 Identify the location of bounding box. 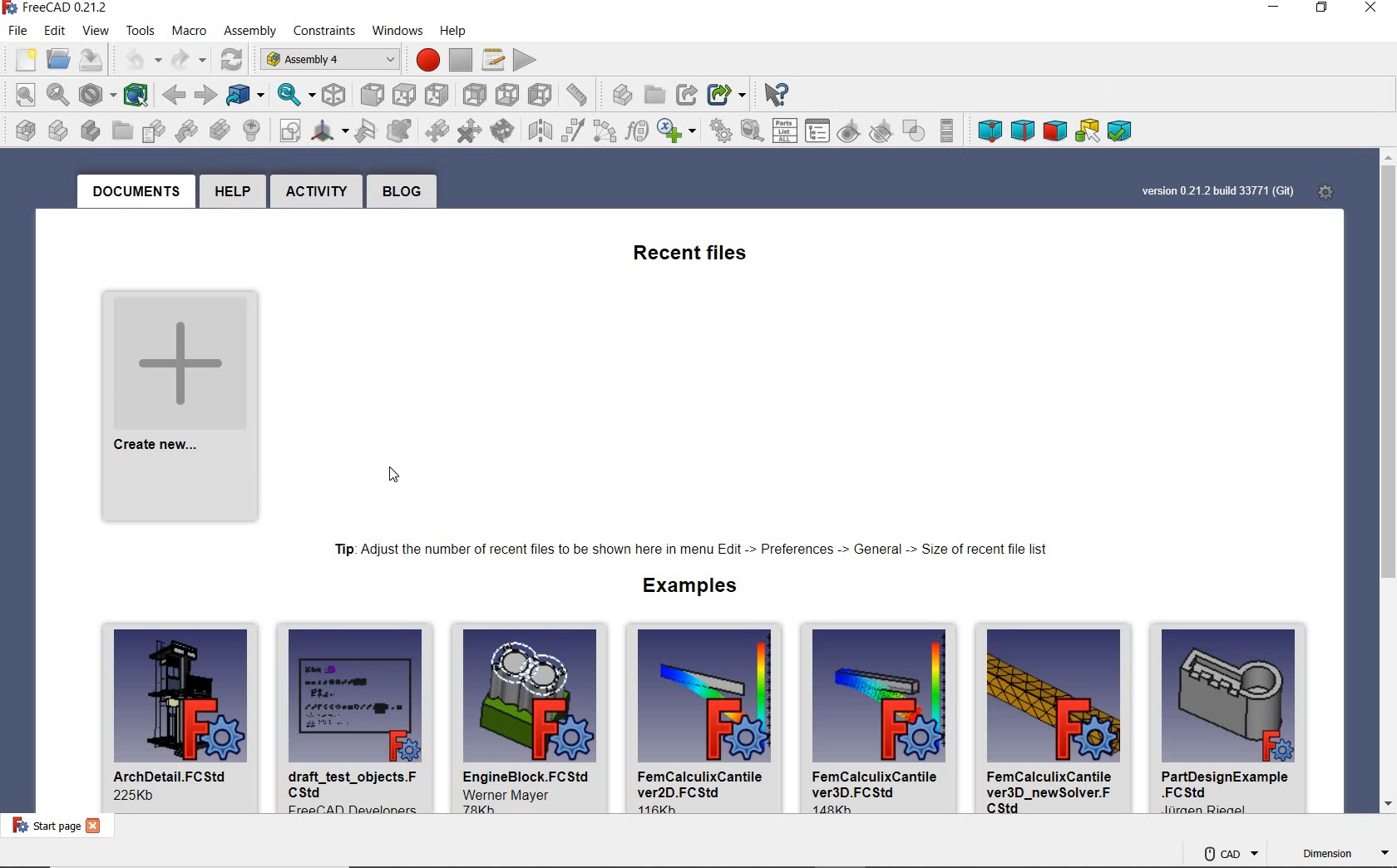
(137, 96).